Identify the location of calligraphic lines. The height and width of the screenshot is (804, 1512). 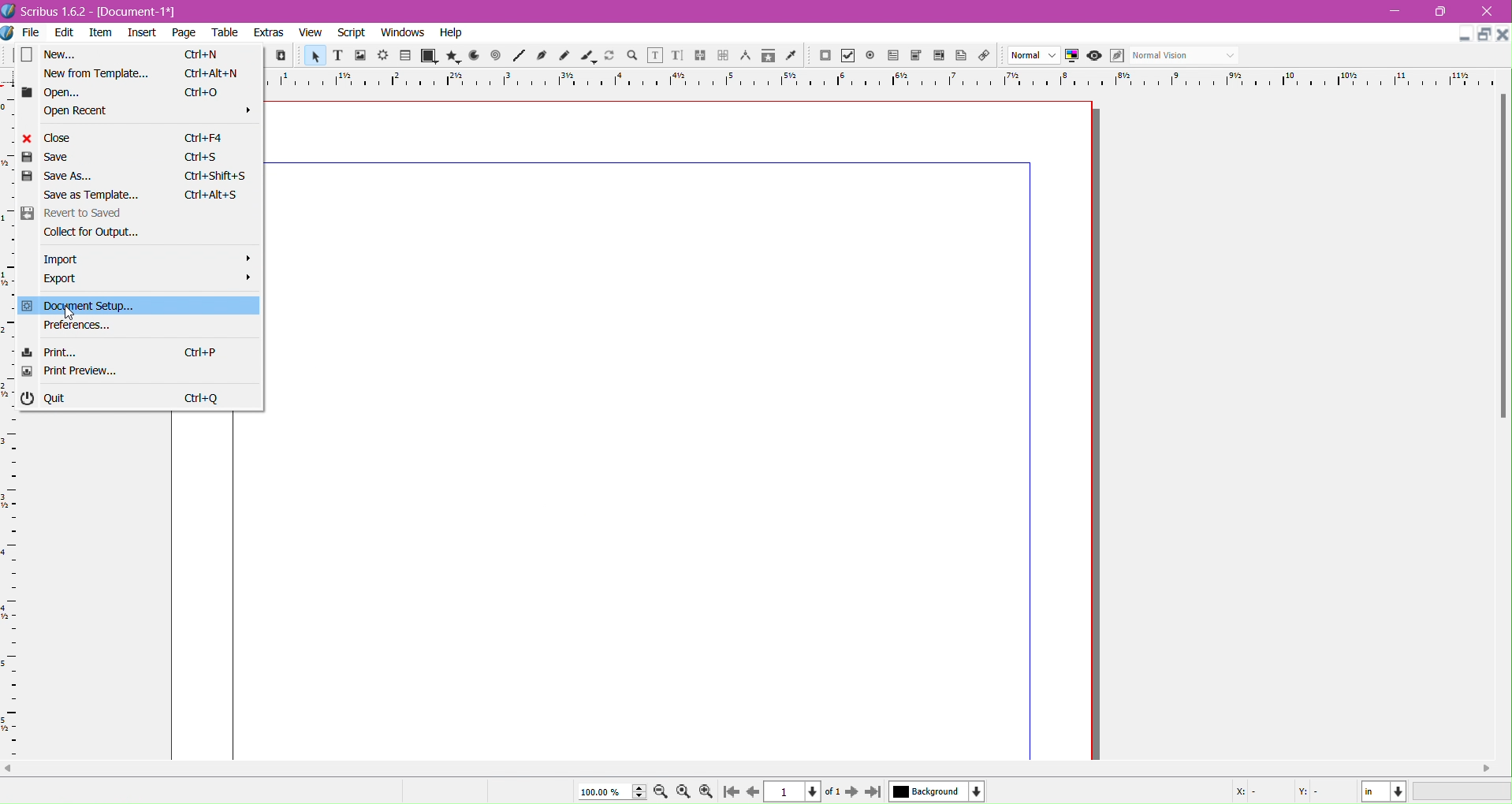
(588, 57).